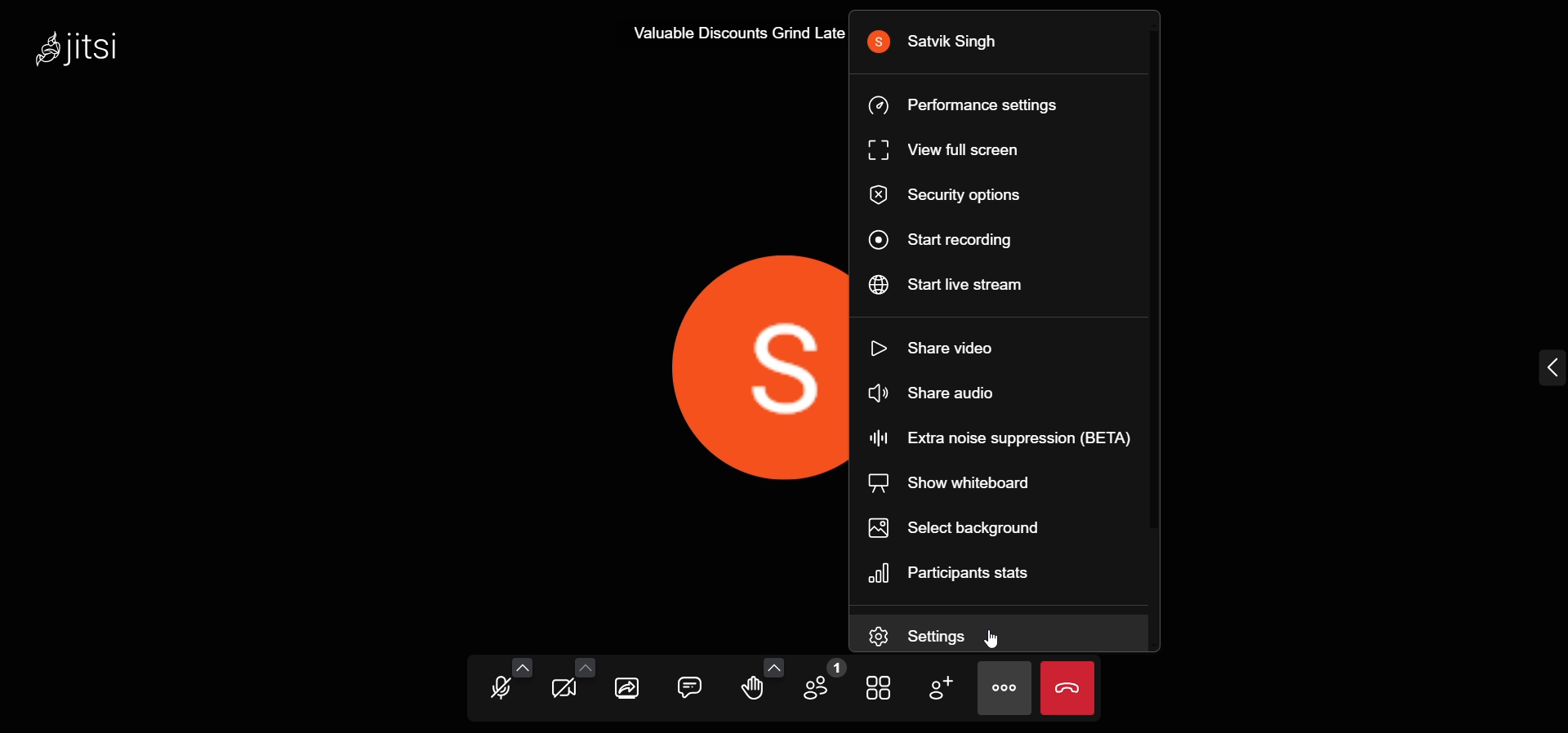 The image size is (1568, 733). What do you see at coordinates (1547, 370) in the screenshot?
I see `expand` at bounding box center [1547, 370].